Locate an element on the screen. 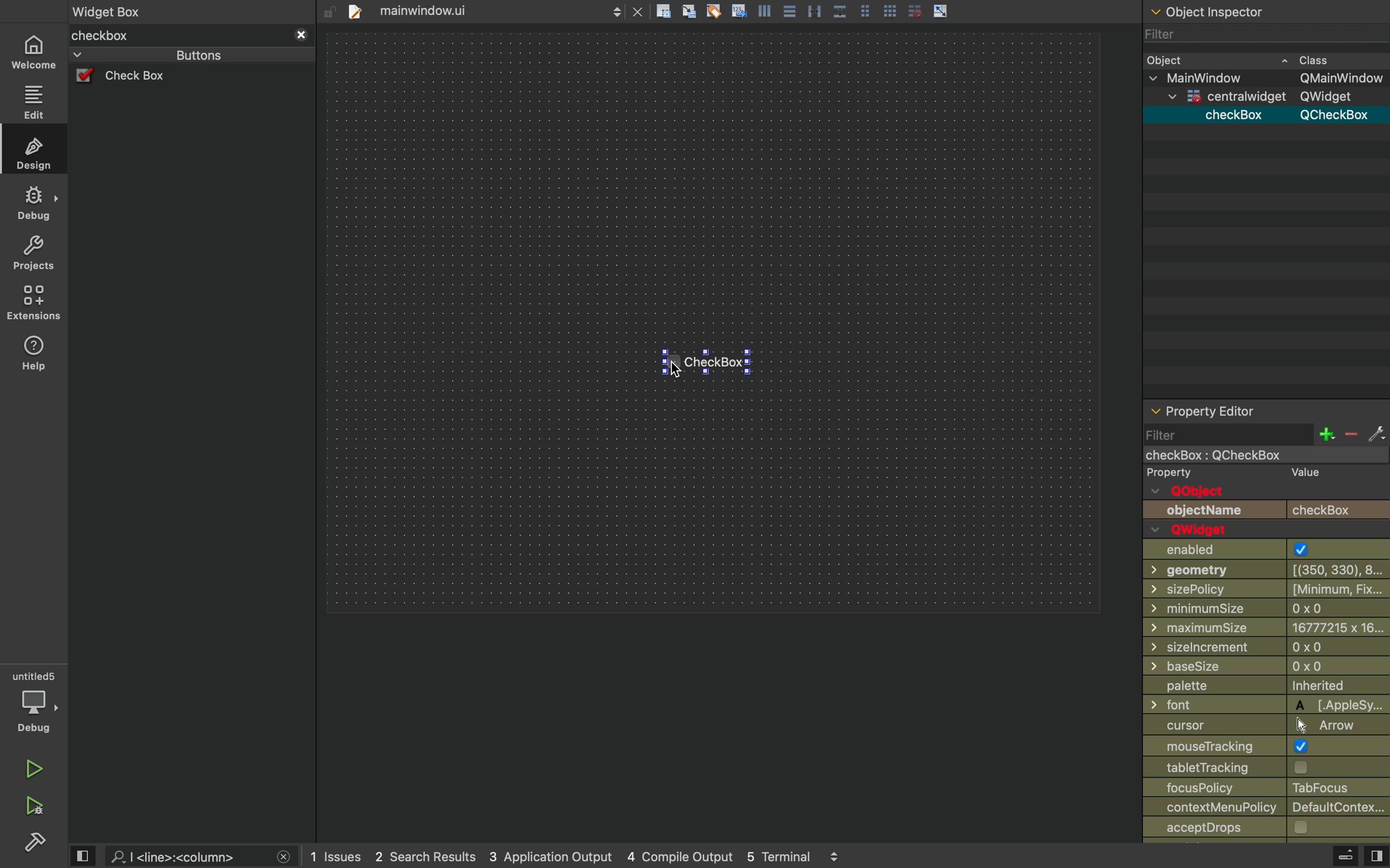 The width and height of the screenshot is (1390, 868). object inspector is located at coordinates (1265, 10).